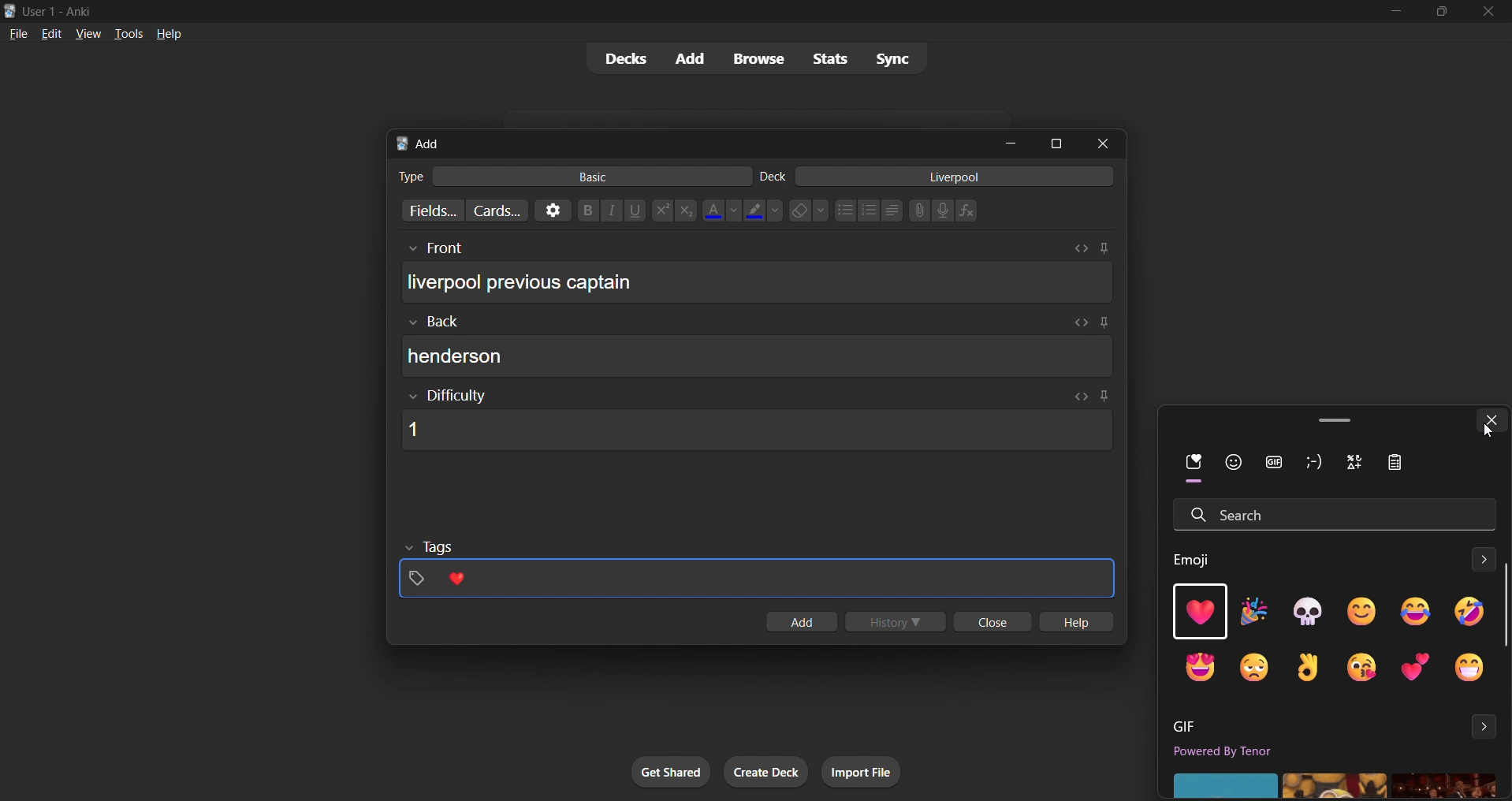 This screenshot has height=801, width=1512. I want to click on emoji, so click(1406, 612).